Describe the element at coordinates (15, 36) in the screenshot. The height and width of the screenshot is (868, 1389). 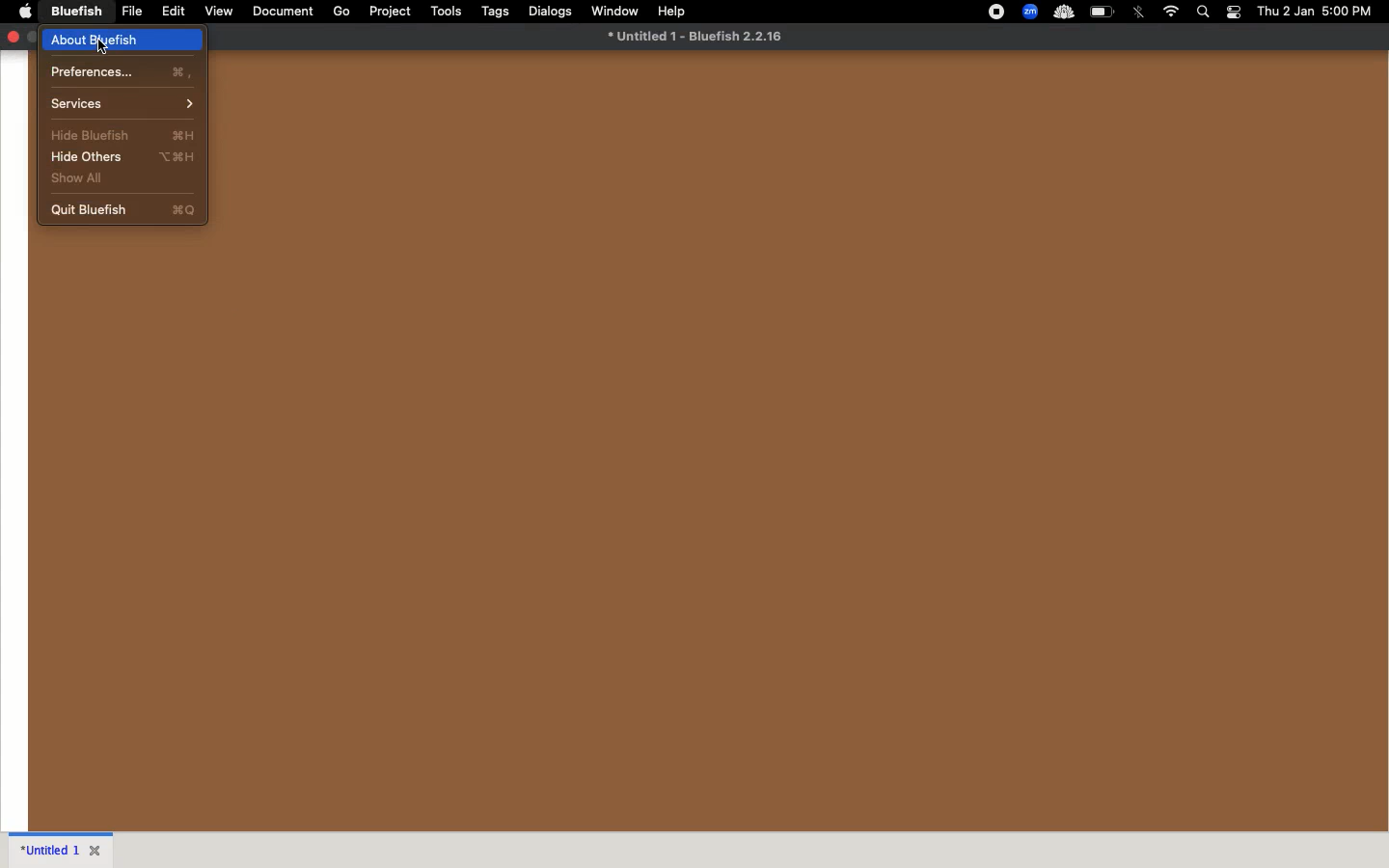
I see `close` at that location.